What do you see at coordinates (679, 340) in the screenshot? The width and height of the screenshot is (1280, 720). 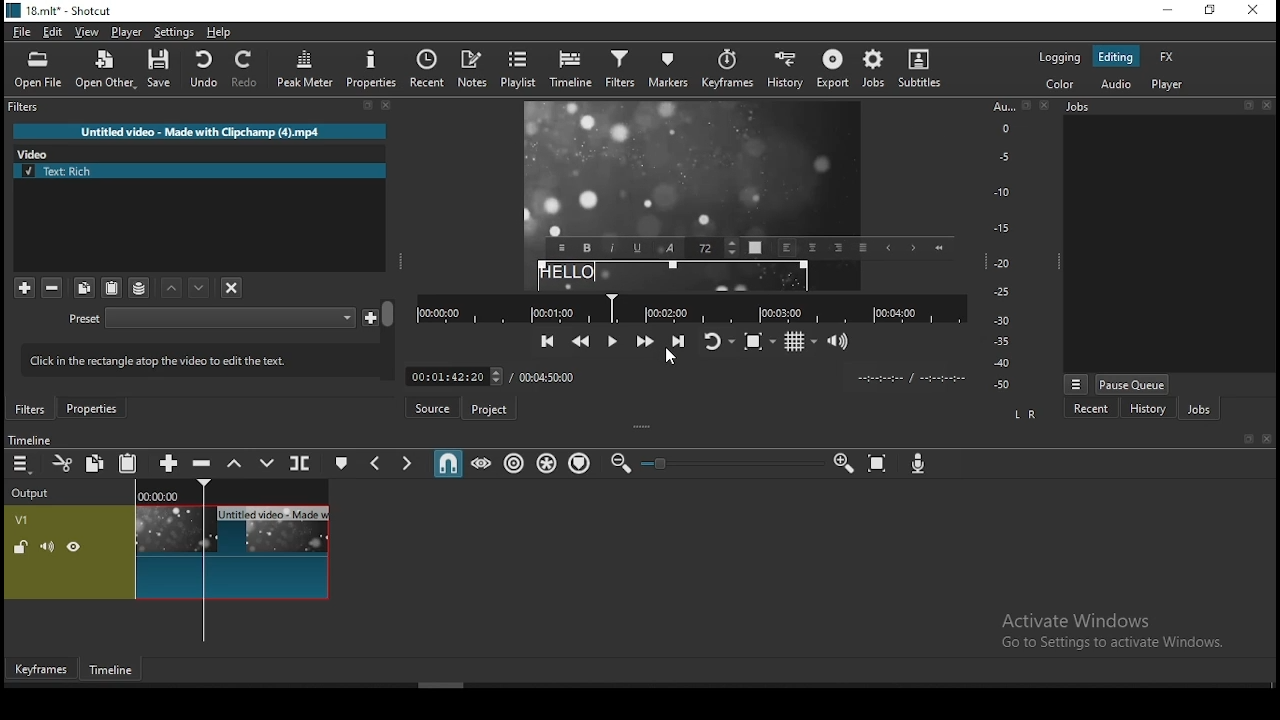 I see `skip to the next point` at bounding box center [679, 340].